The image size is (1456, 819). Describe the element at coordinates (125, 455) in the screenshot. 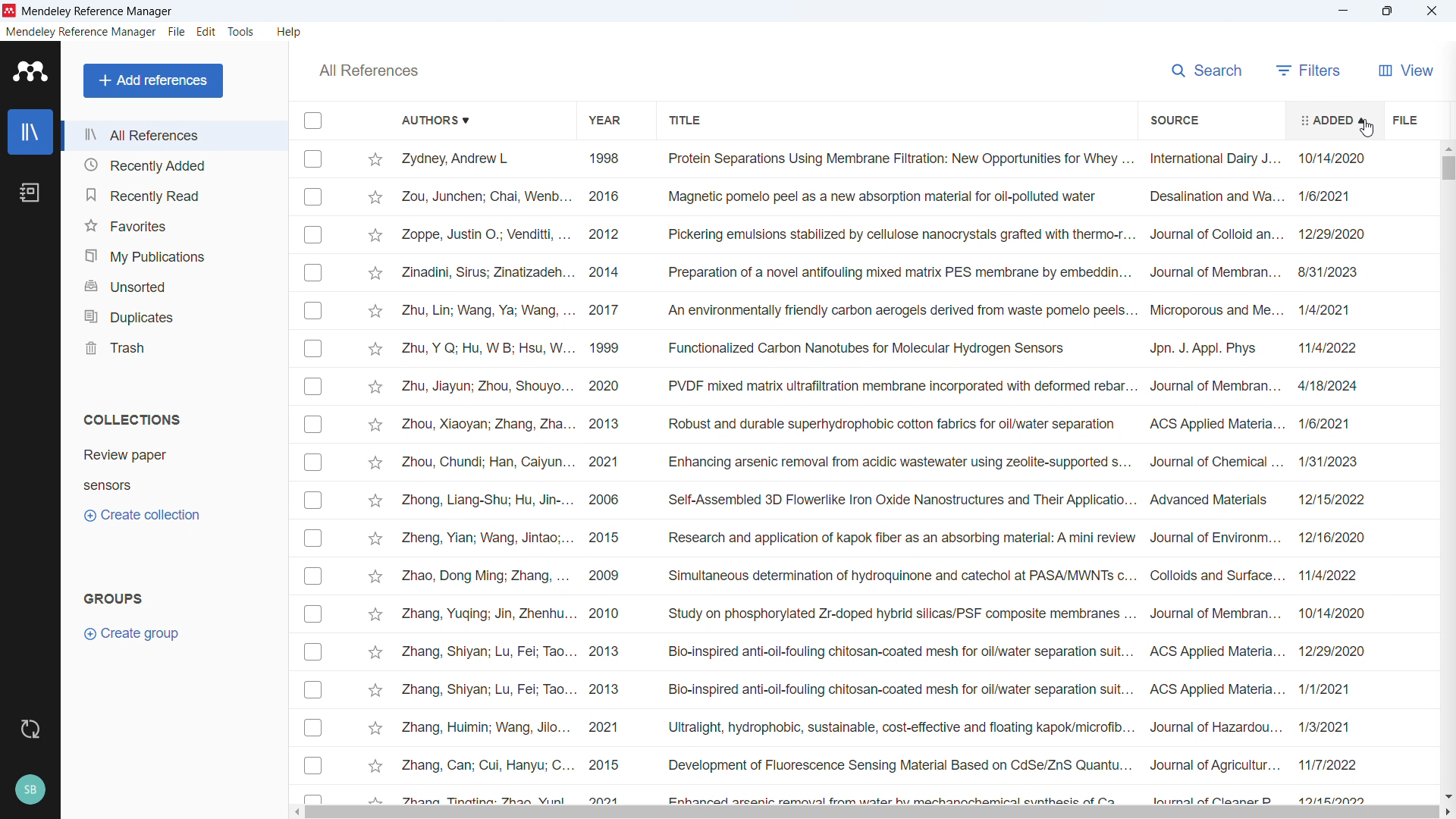

I see `Review paper` at that location.